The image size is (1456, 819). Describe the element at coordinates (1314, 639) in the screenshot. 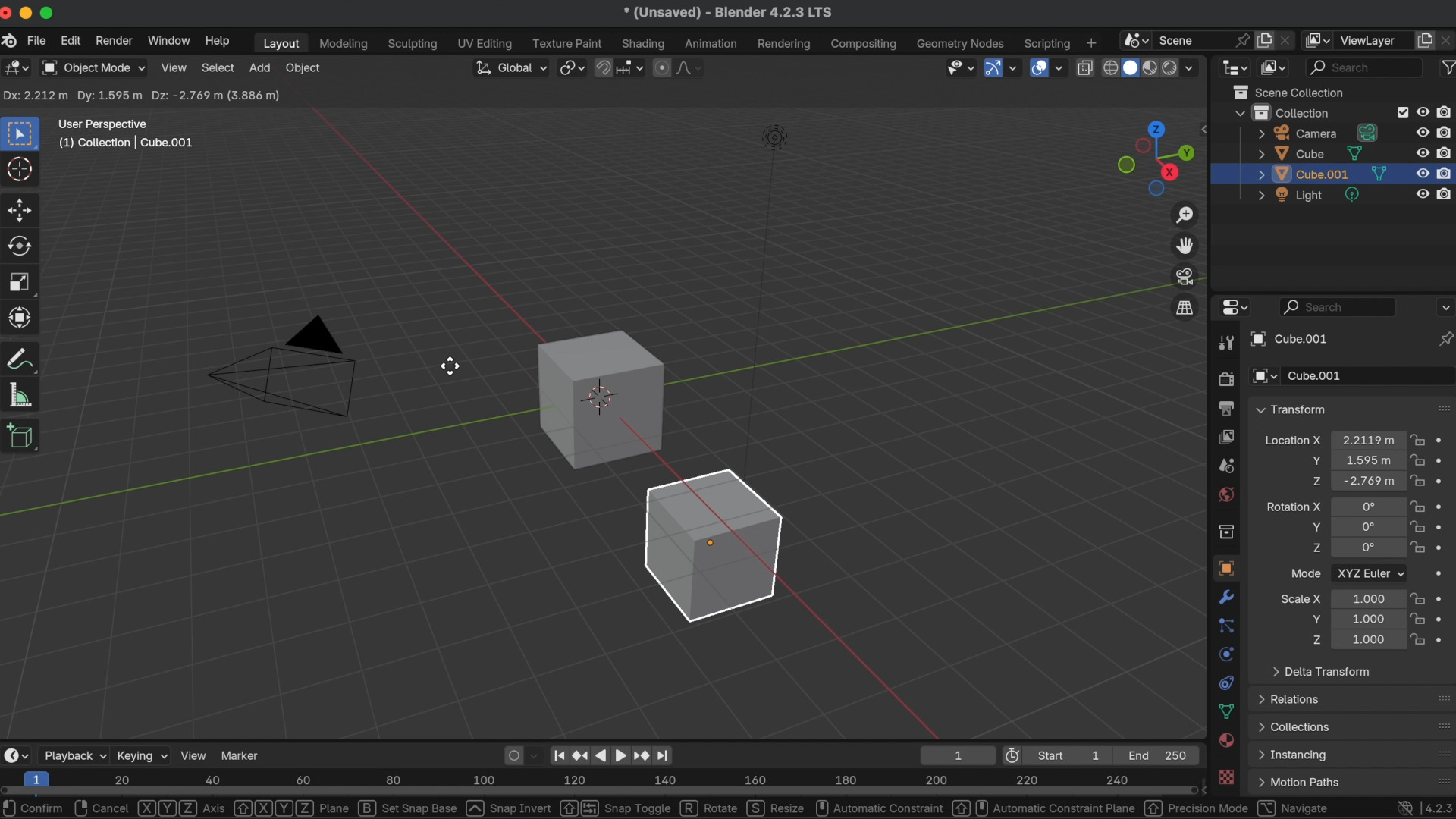

I see `scale Z` at that location.